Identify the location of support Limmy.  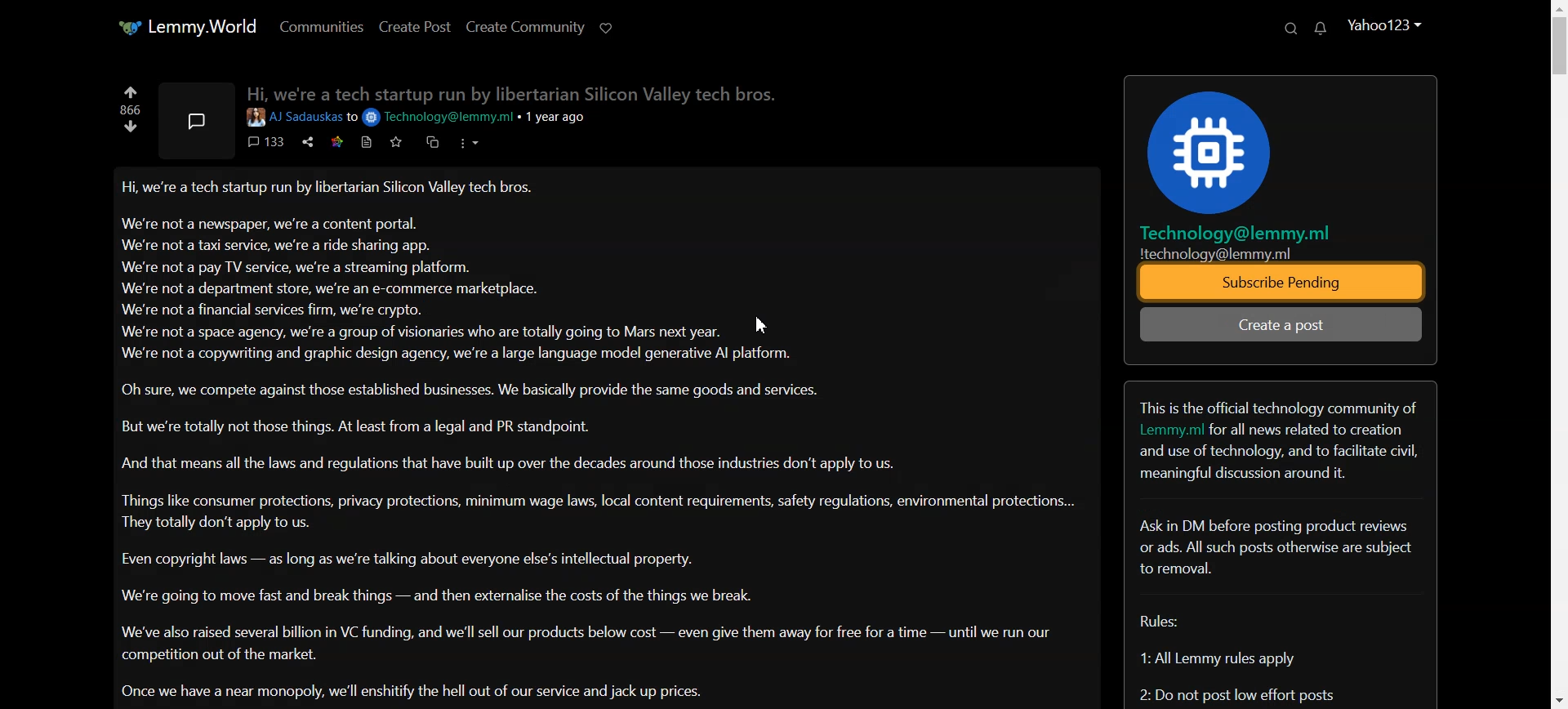
(609, 26).